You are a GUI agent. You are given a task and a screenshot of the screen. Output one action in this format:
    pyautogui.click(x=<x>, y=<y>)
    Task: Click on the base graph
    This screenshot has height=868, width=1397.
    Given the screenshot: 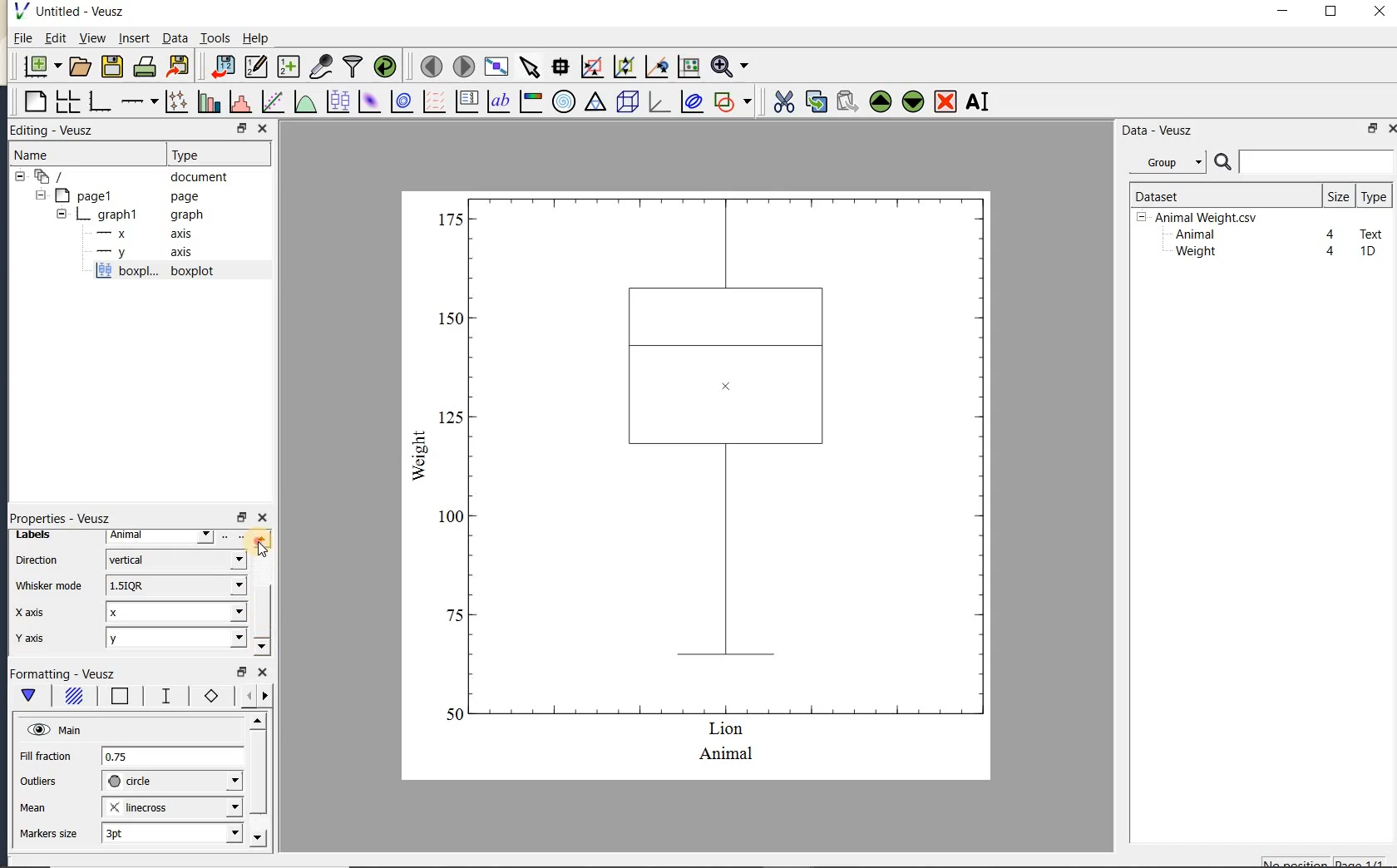 What is the action you would take?
    pyautogui.click(x=98, y=101)
    